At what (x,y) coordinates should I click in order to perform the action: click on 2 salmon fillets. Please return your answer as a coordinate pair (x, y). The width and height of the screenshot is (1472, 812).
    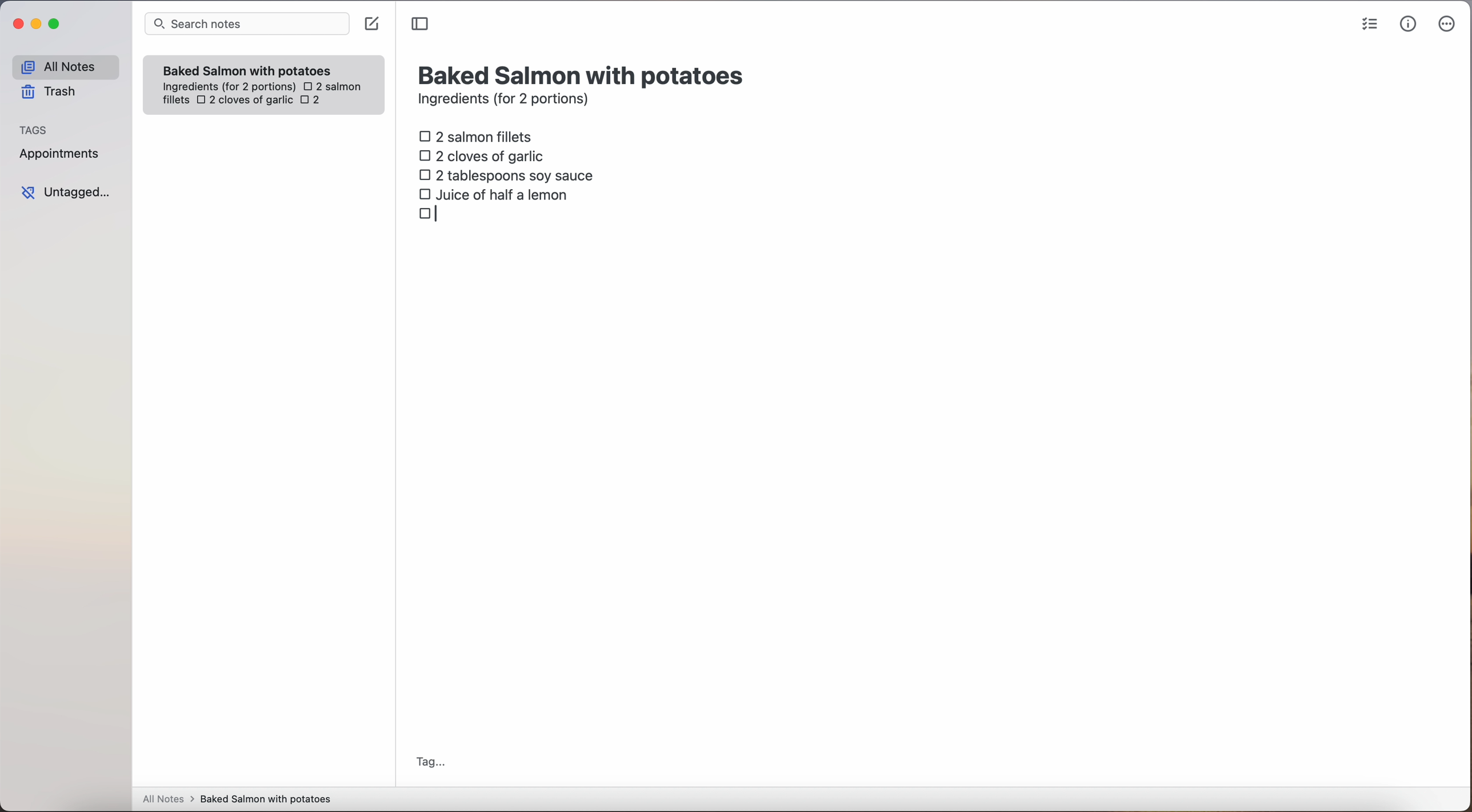
    Looking at the image, I should click on (479, 135).